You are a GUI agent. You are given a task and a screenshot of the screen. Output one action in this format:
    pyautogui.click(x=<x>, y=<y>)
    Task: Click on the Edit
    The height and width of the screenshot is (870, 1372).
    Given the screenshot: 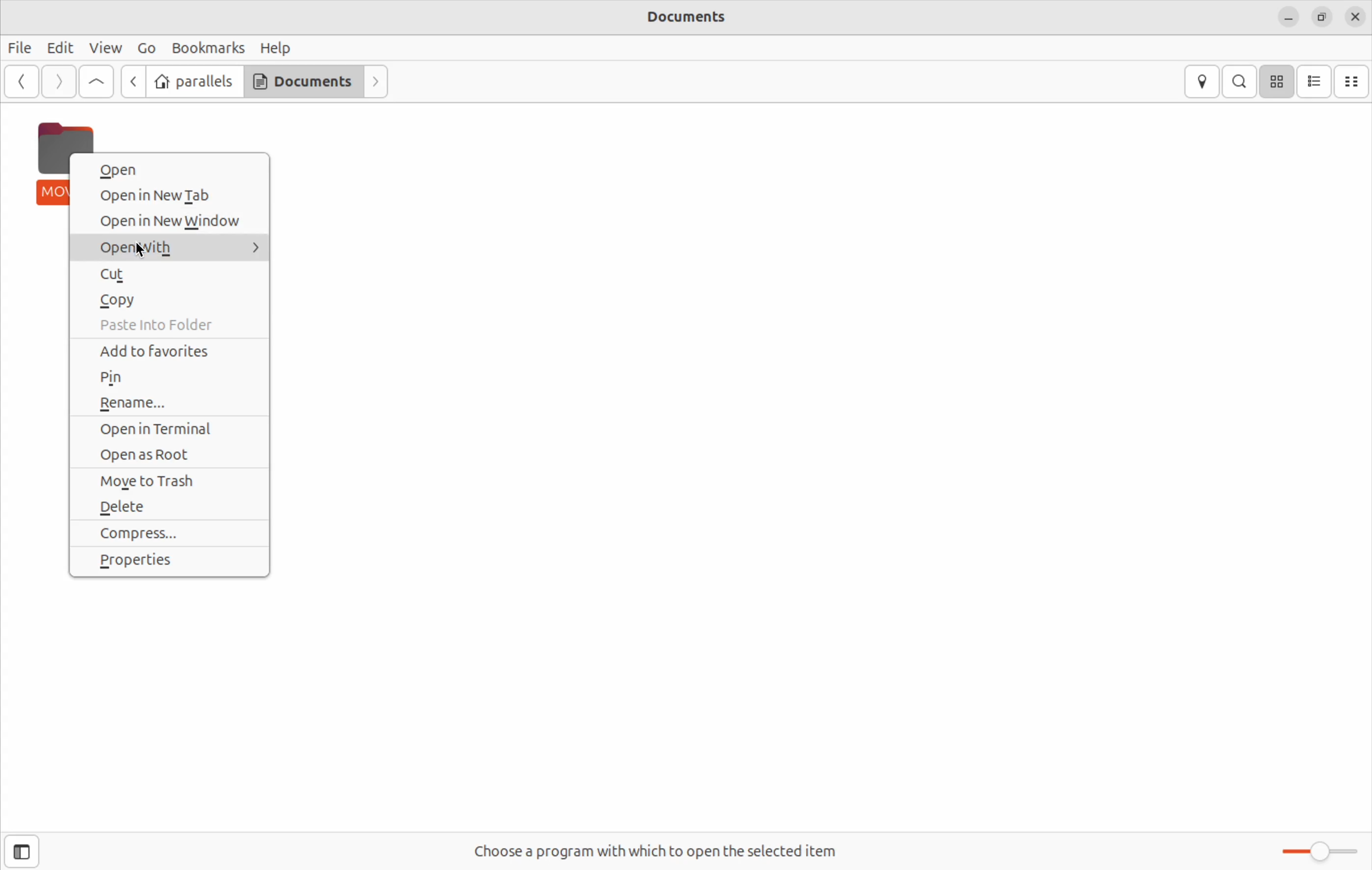 What is the action you would take?
    pyautogui.click(x=60, y=47)
    